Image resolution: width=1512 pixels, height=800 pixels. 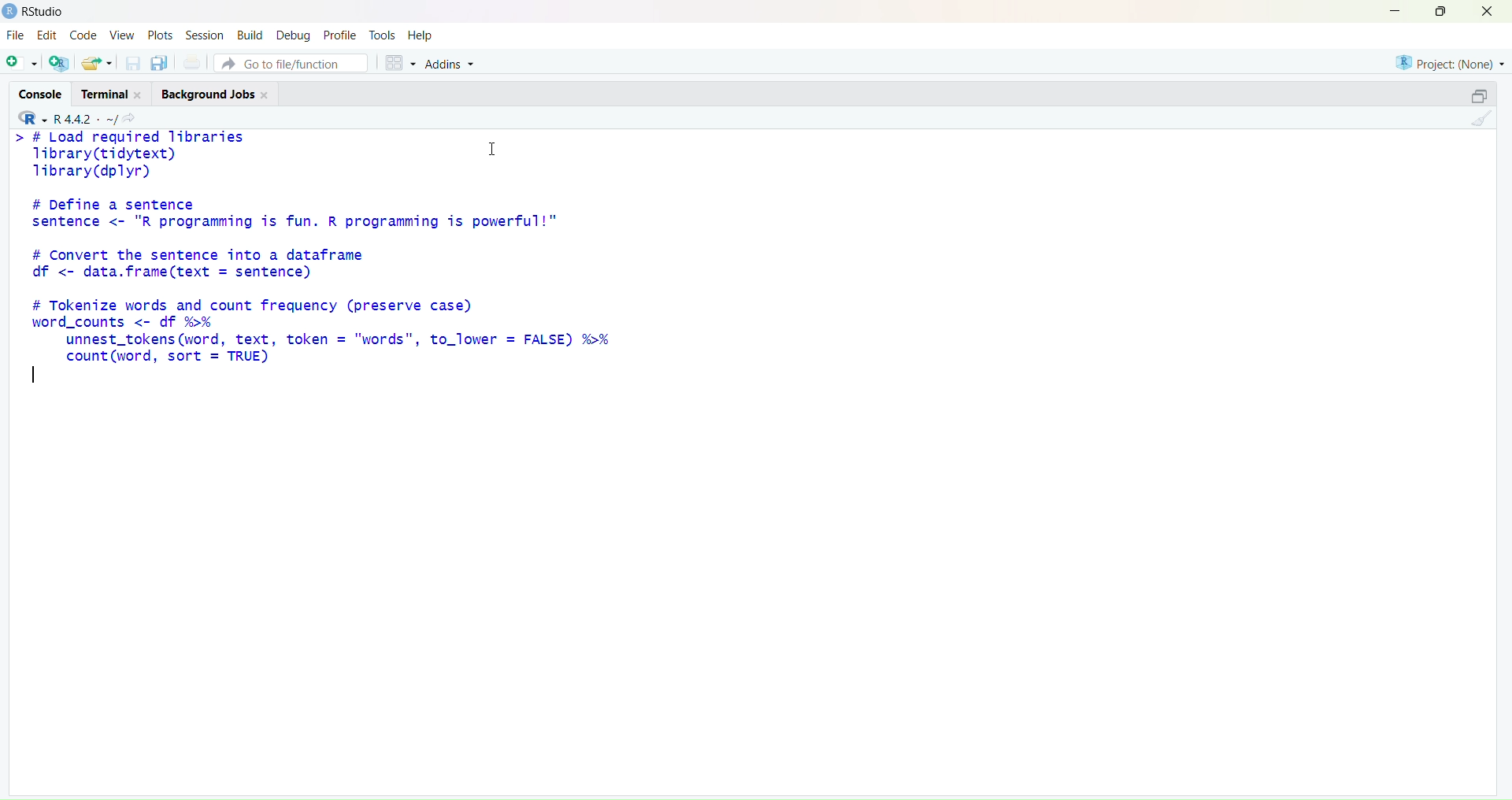 What do you see at coordinates (1393, 12) in the screenshot?
I see `minimize` at bounding box center [1393, 12].